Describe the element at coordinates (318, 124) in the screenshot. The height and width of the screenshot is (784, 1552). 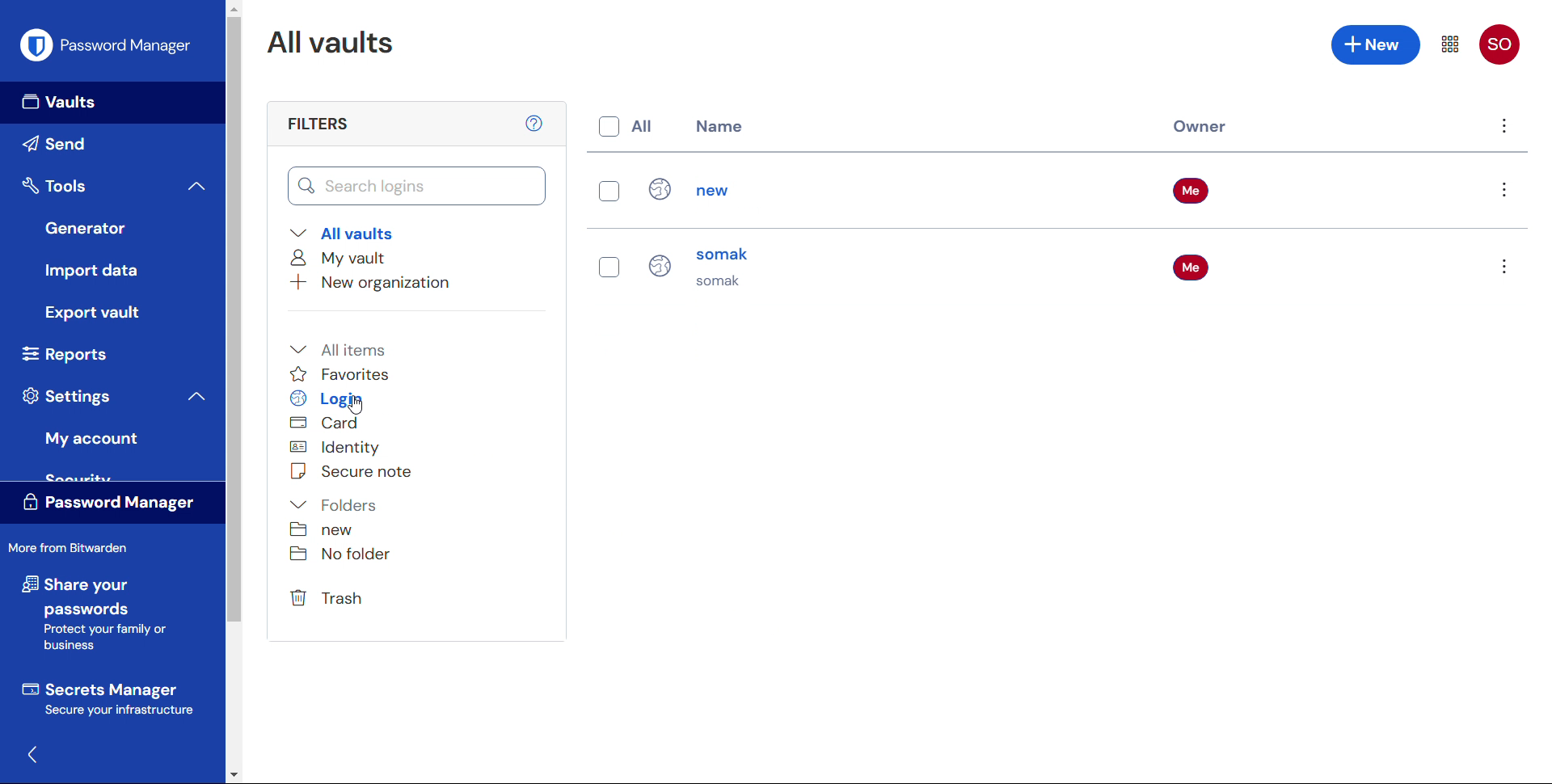
I see `filters` at that location.